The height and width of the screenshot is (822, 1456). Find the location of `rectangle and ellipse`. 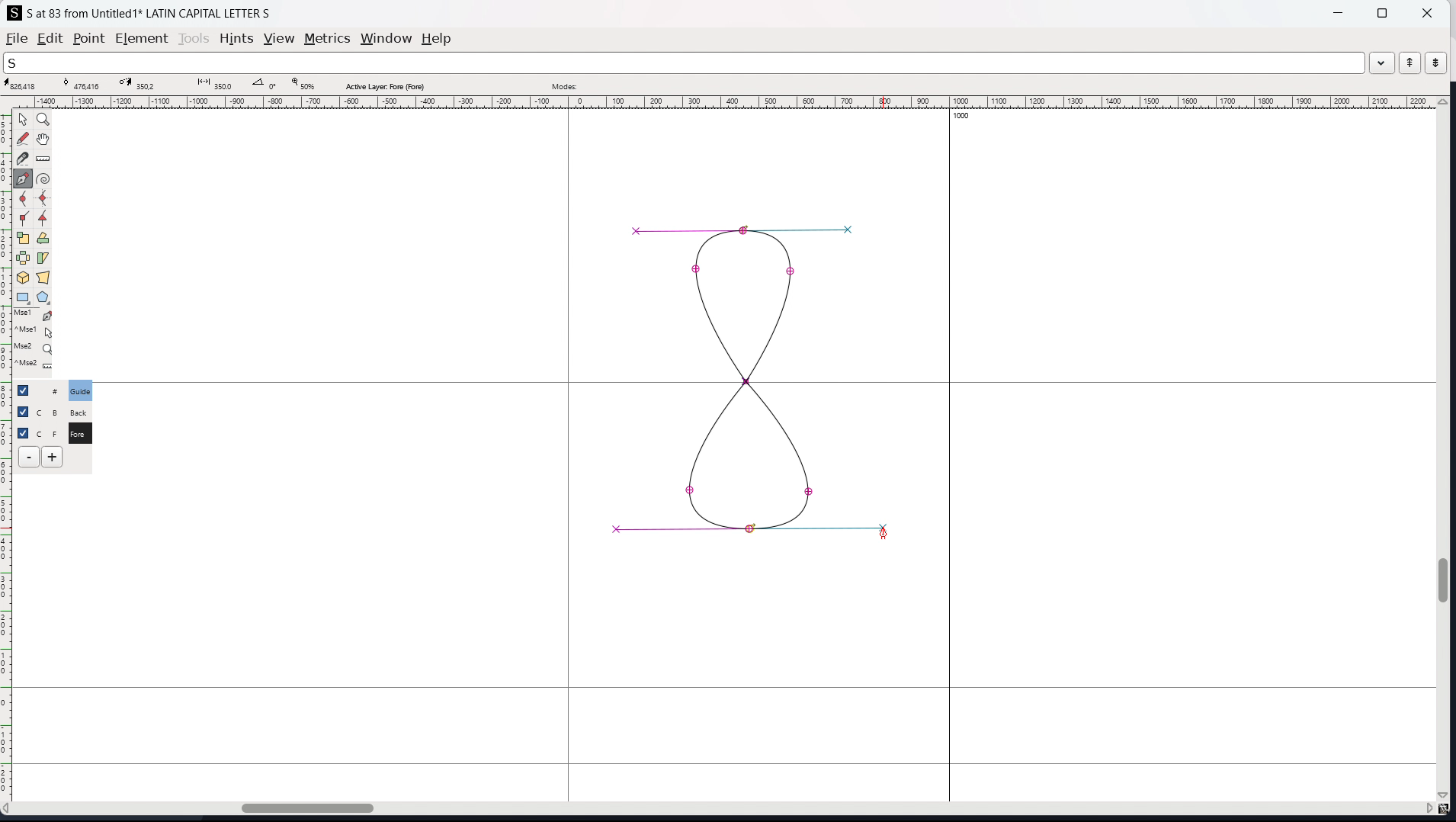

rectangle and ellipse is located at coordinates (24, 298).